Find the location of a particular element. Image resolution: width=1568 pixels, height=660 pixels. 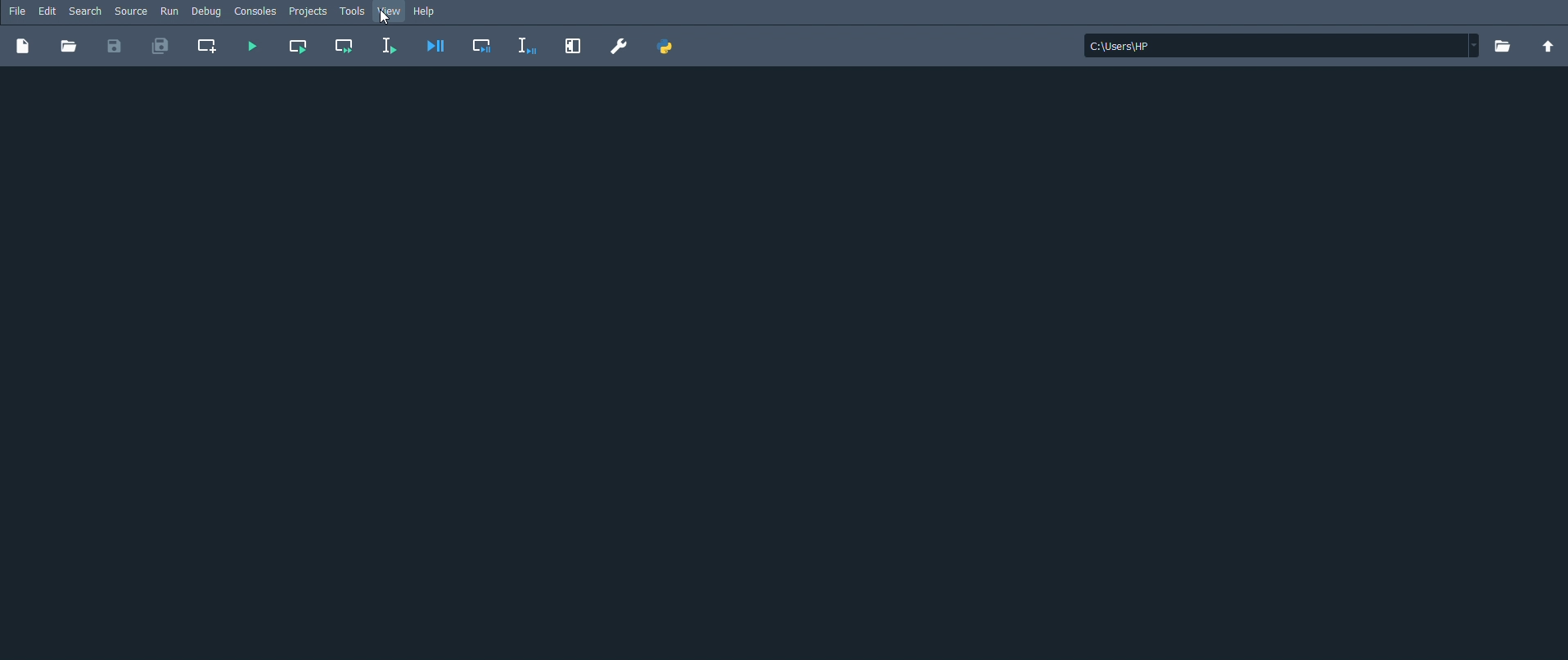

Source is located at coordinates (131, 11).